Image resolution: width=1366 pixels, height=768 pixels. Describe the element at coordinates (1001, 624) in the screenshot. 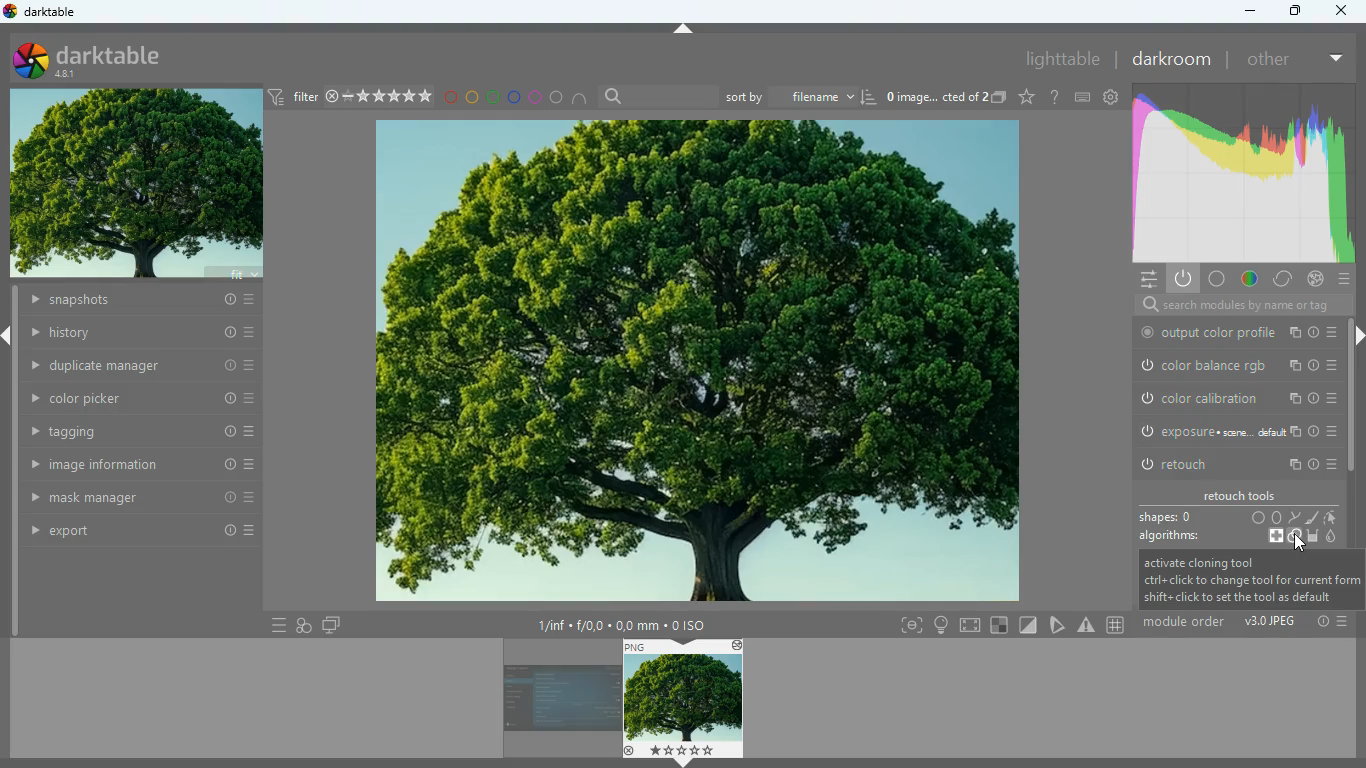

I see `square` at that location.